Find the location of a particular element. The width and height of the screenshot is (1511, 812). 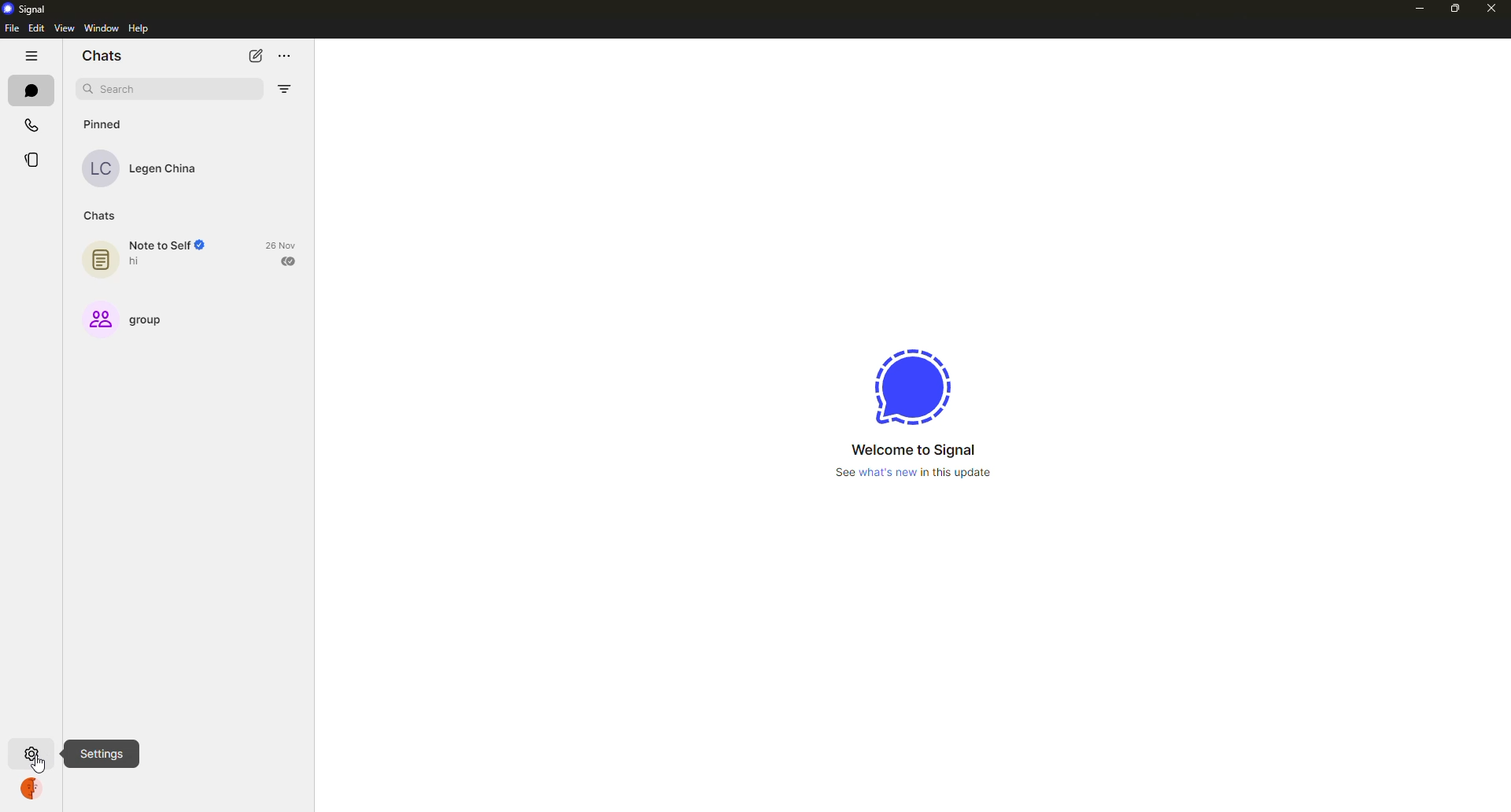

cursor is located at coordinates (40, 766).